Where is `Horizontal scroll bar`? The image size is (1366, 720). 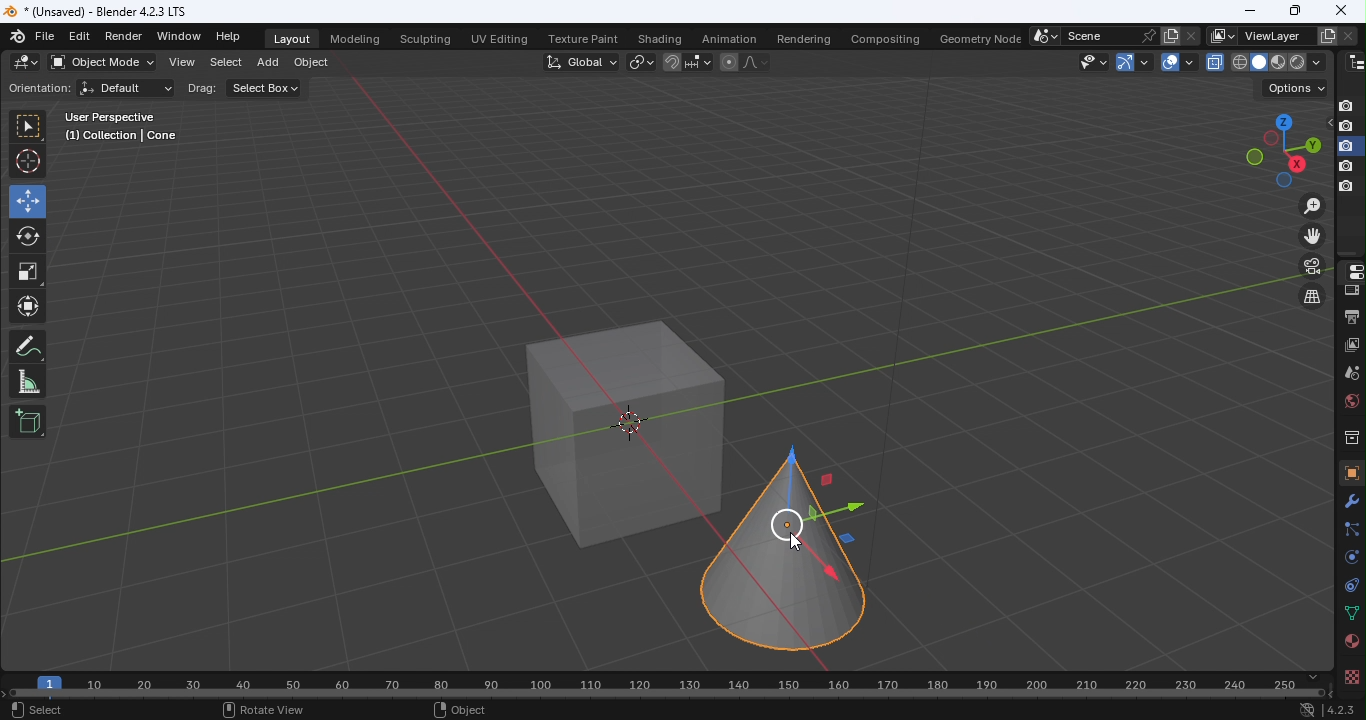 Horizontal scroll bar is located at coordinates (669, 694).